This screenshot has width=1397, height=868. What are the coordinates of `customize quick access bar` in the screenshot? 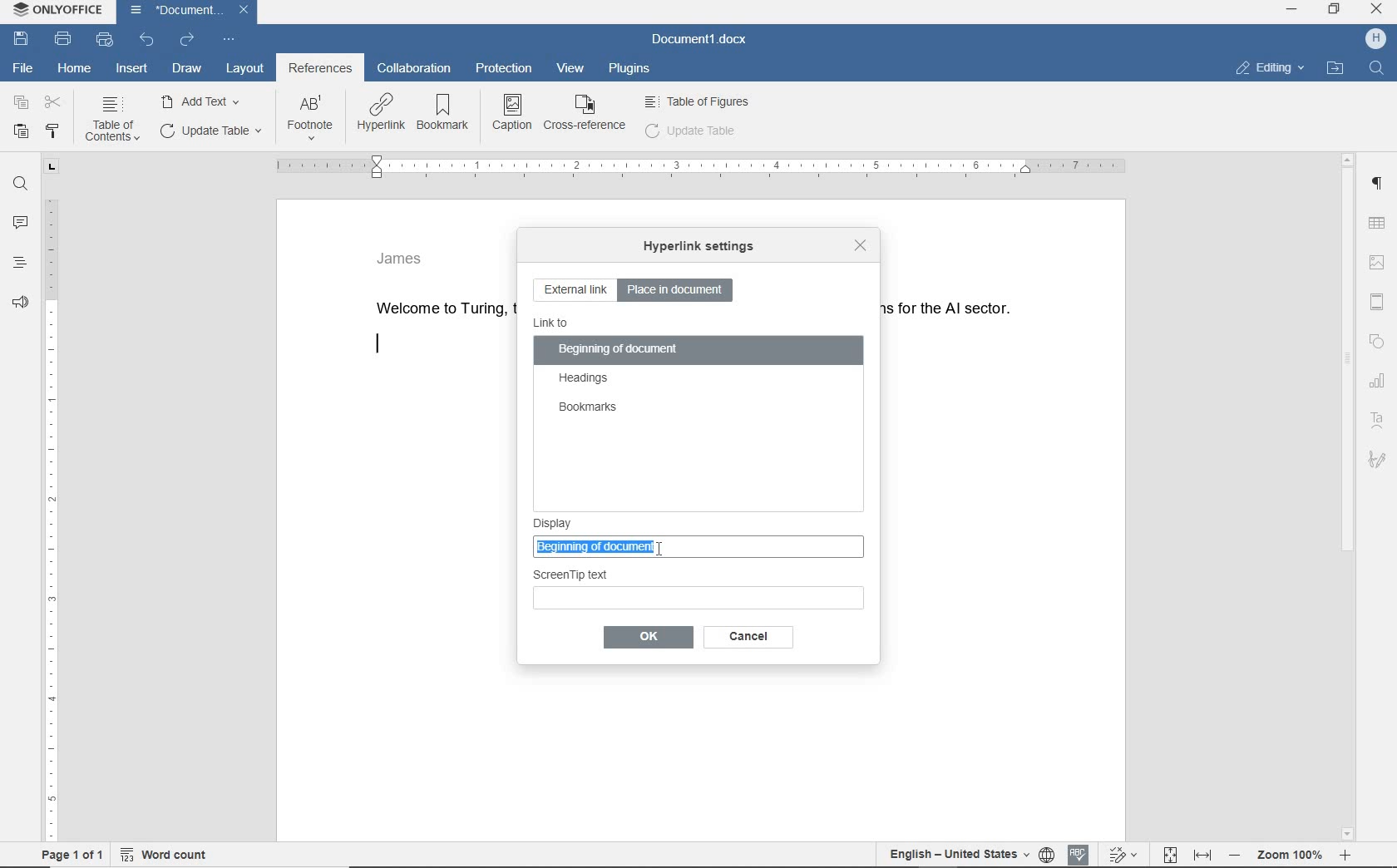 It's located at (227, 40).